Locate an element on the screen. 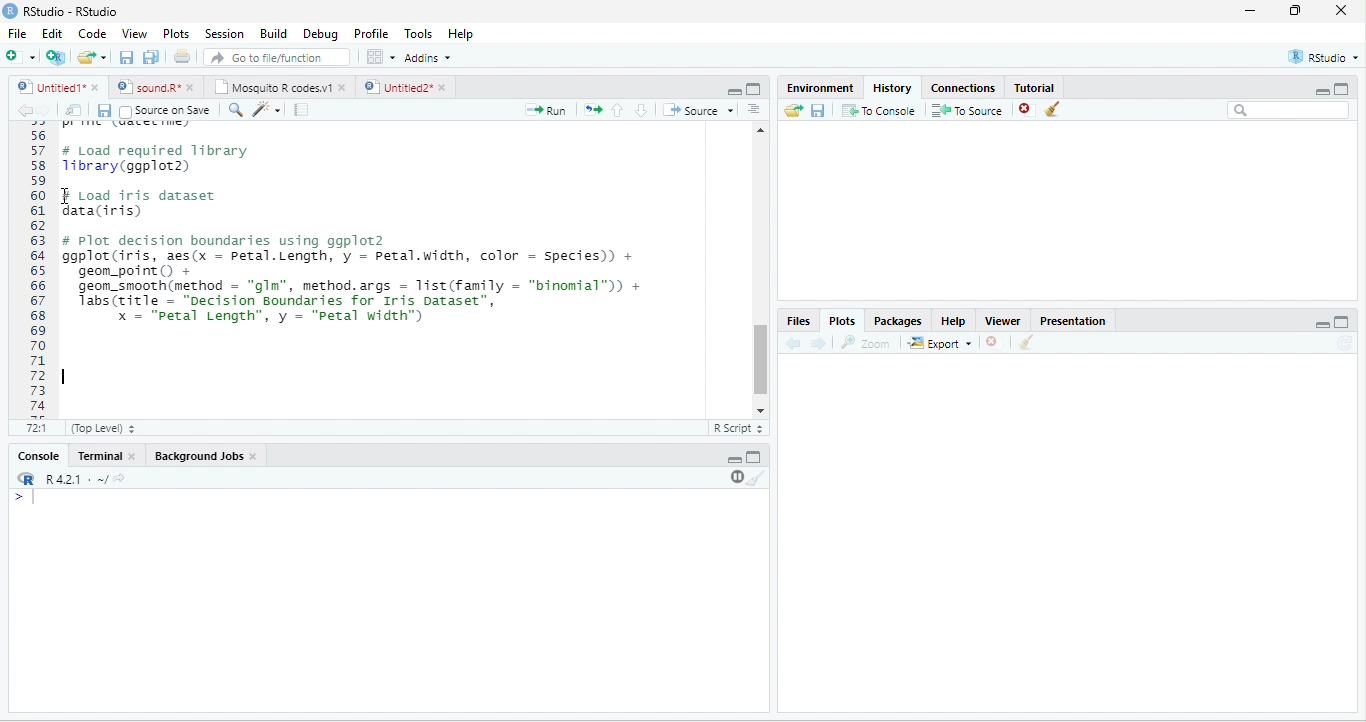 The width and height of the screenshot is (1366, 722). Debug is located at coordinates (324, 35).